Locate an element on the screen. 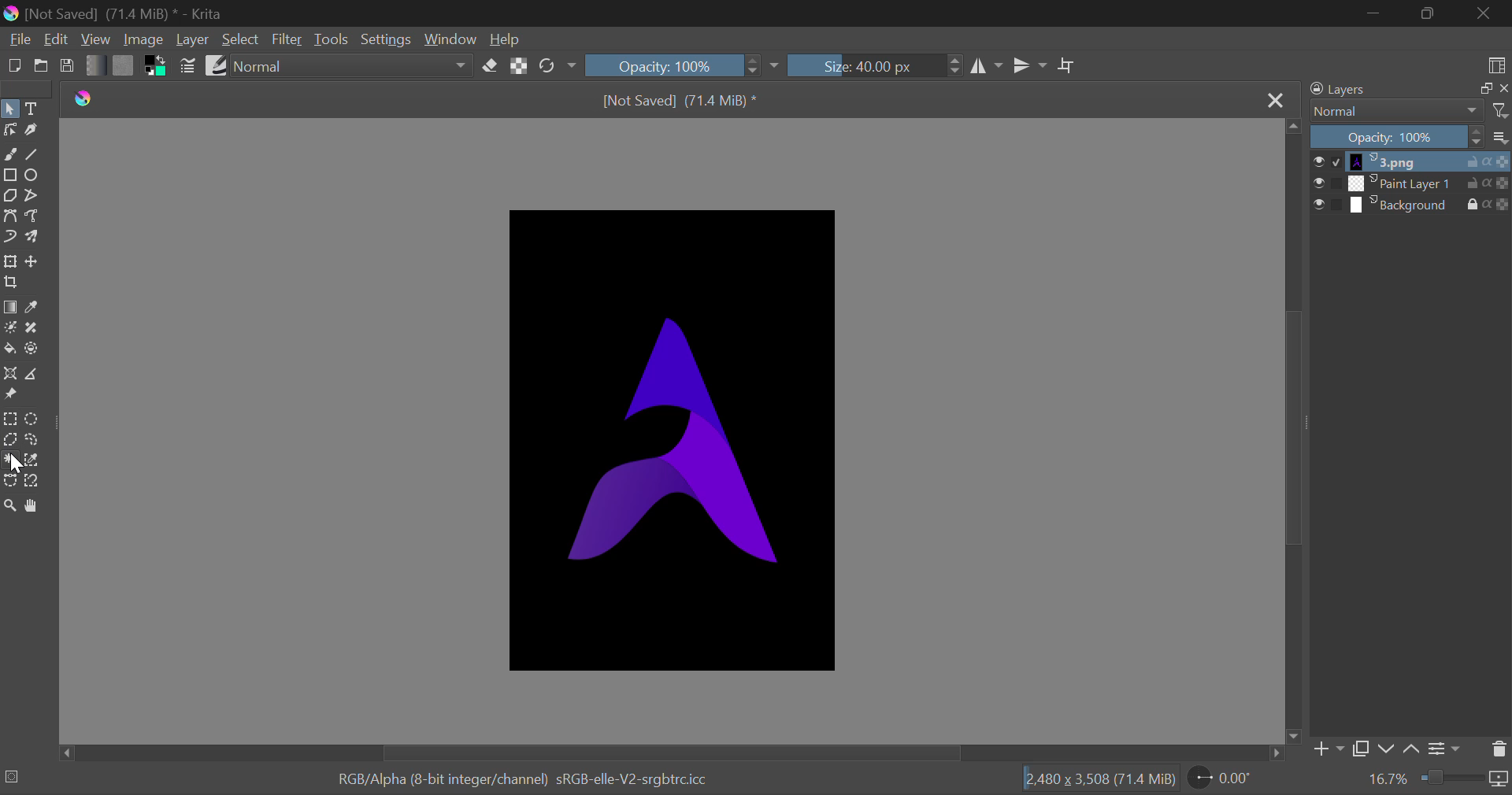  Eyedropper is located at coordinates (36, 309).